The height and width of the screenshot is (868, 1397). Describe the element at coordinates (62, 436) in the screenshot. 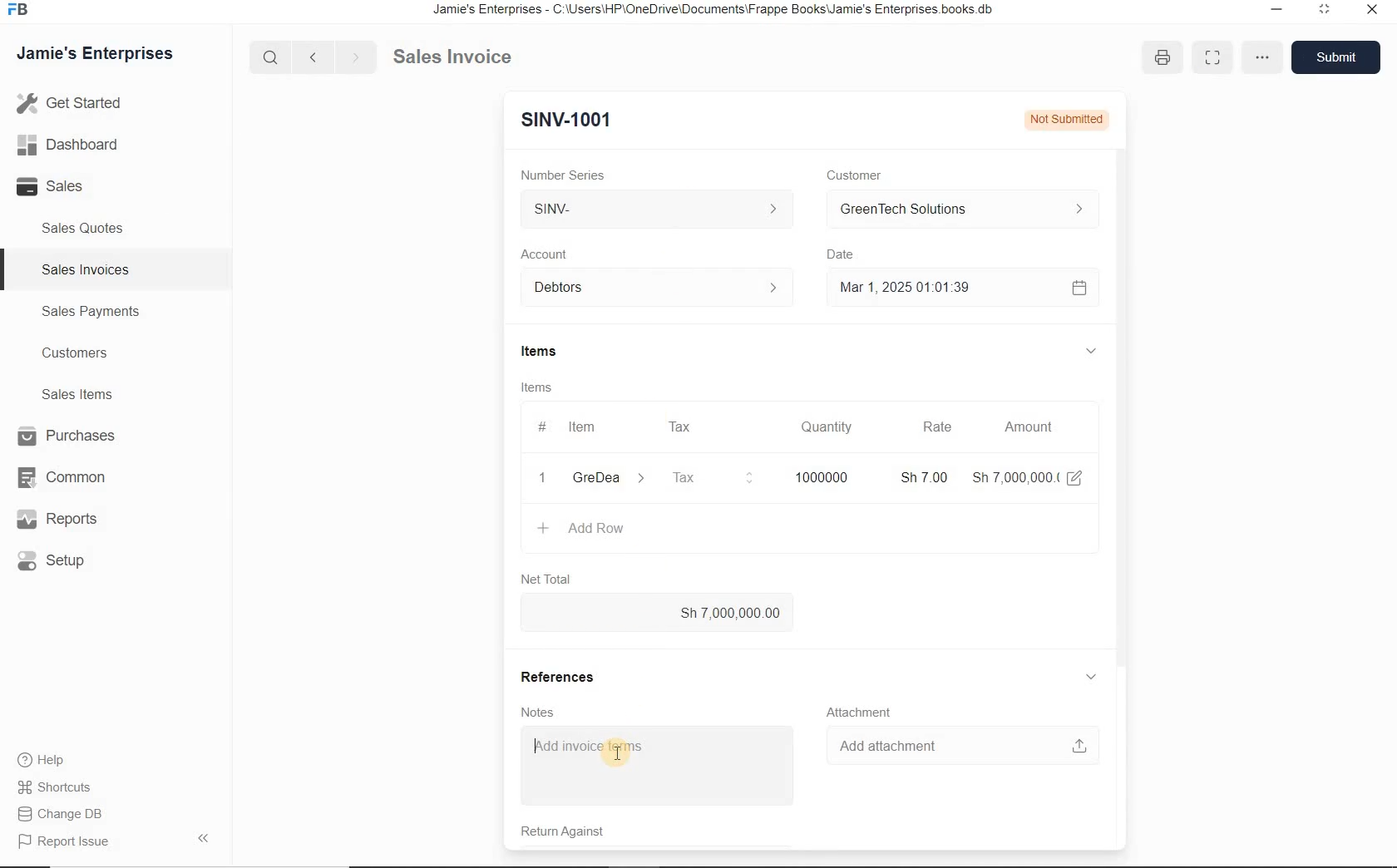

I see `Purchases` at that location.